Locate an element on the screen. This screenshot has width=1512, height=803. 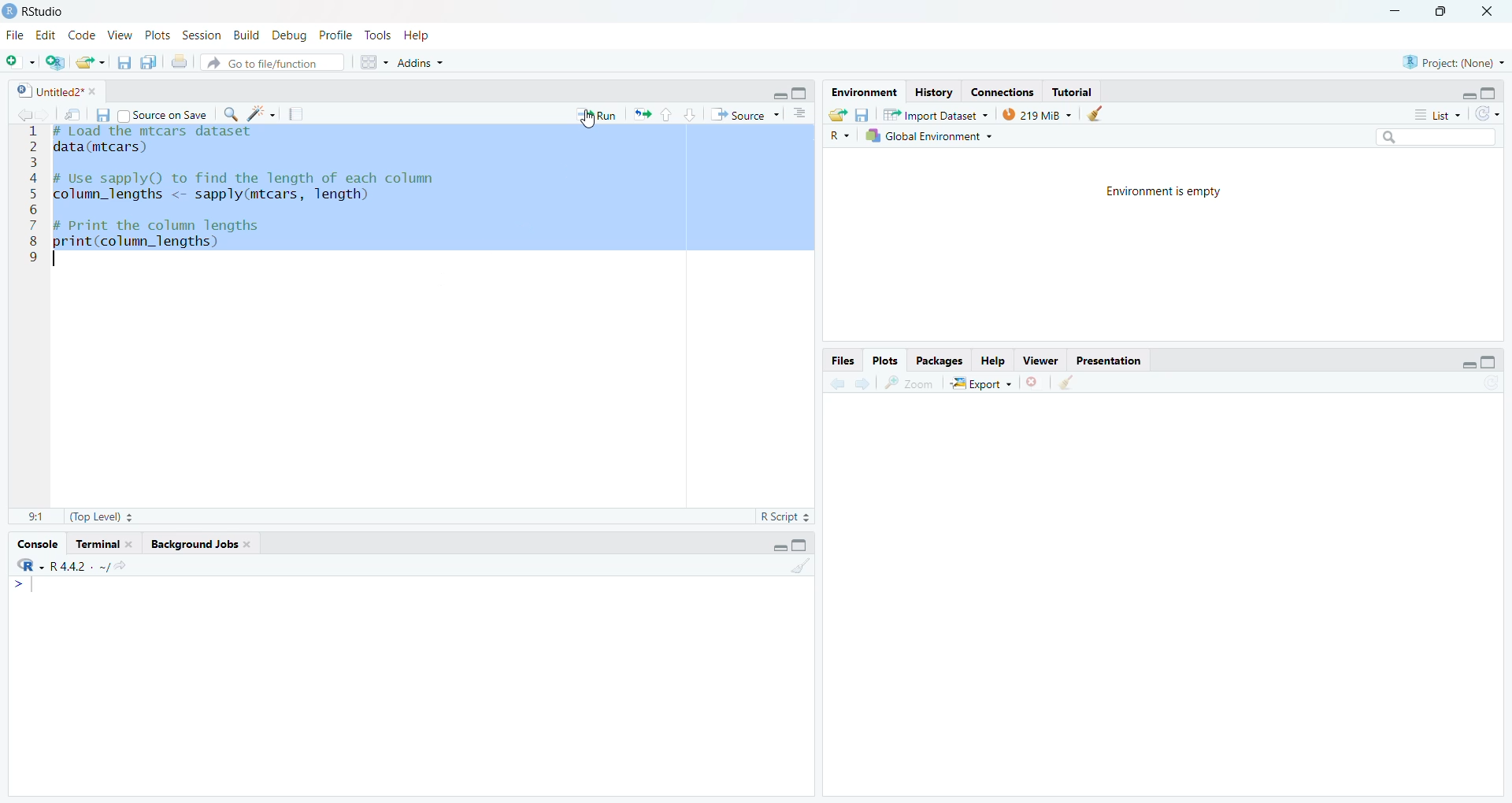
Next plot is located at coordinates (865, 382).